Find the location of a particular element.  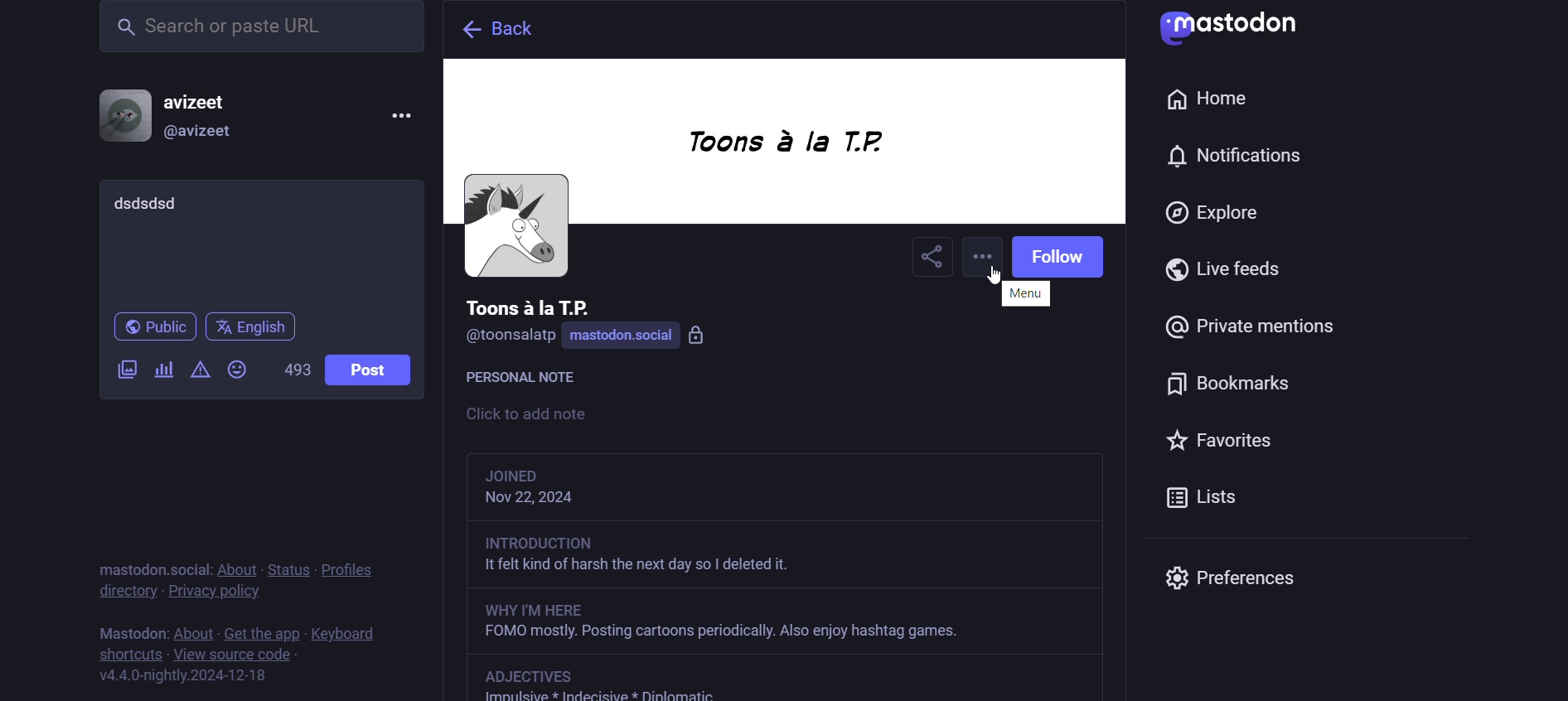

profile picture is located at coordinates (123, 115).